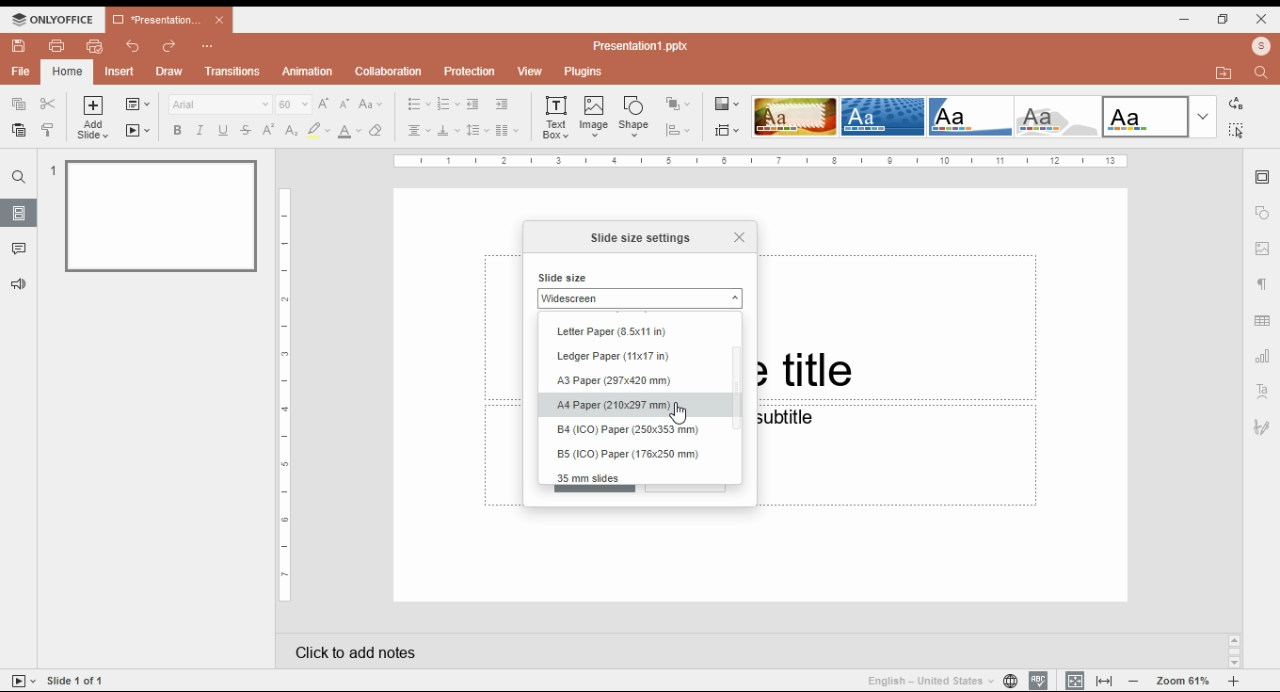 Image resolution: width=1280 pixels, height=692 pixels. What do you see at coordinates (1134, 680) in the screenshot?
I see `zoom out` at bounding box center [1134, 680].